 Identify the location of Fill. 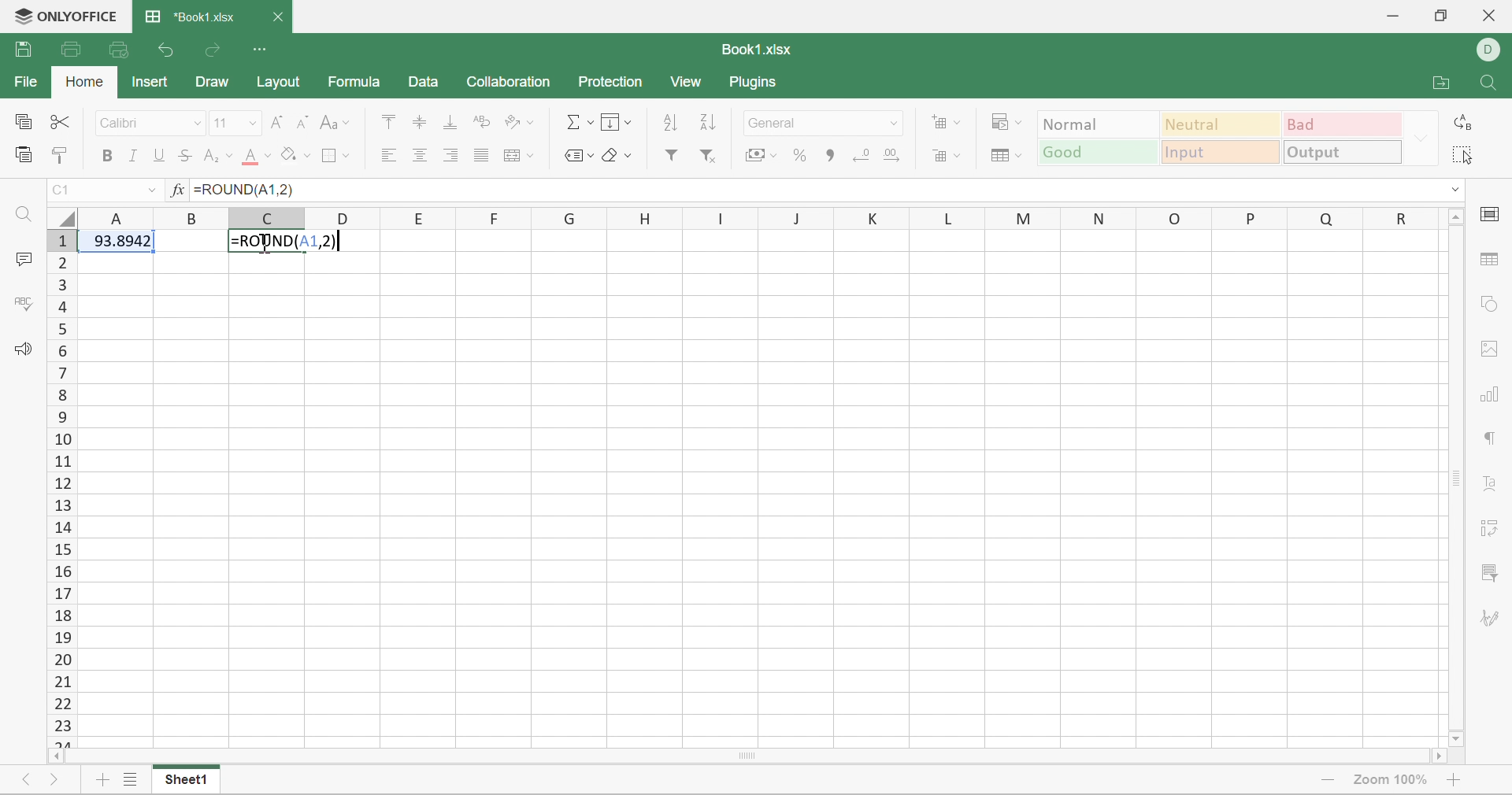
(615, 120).